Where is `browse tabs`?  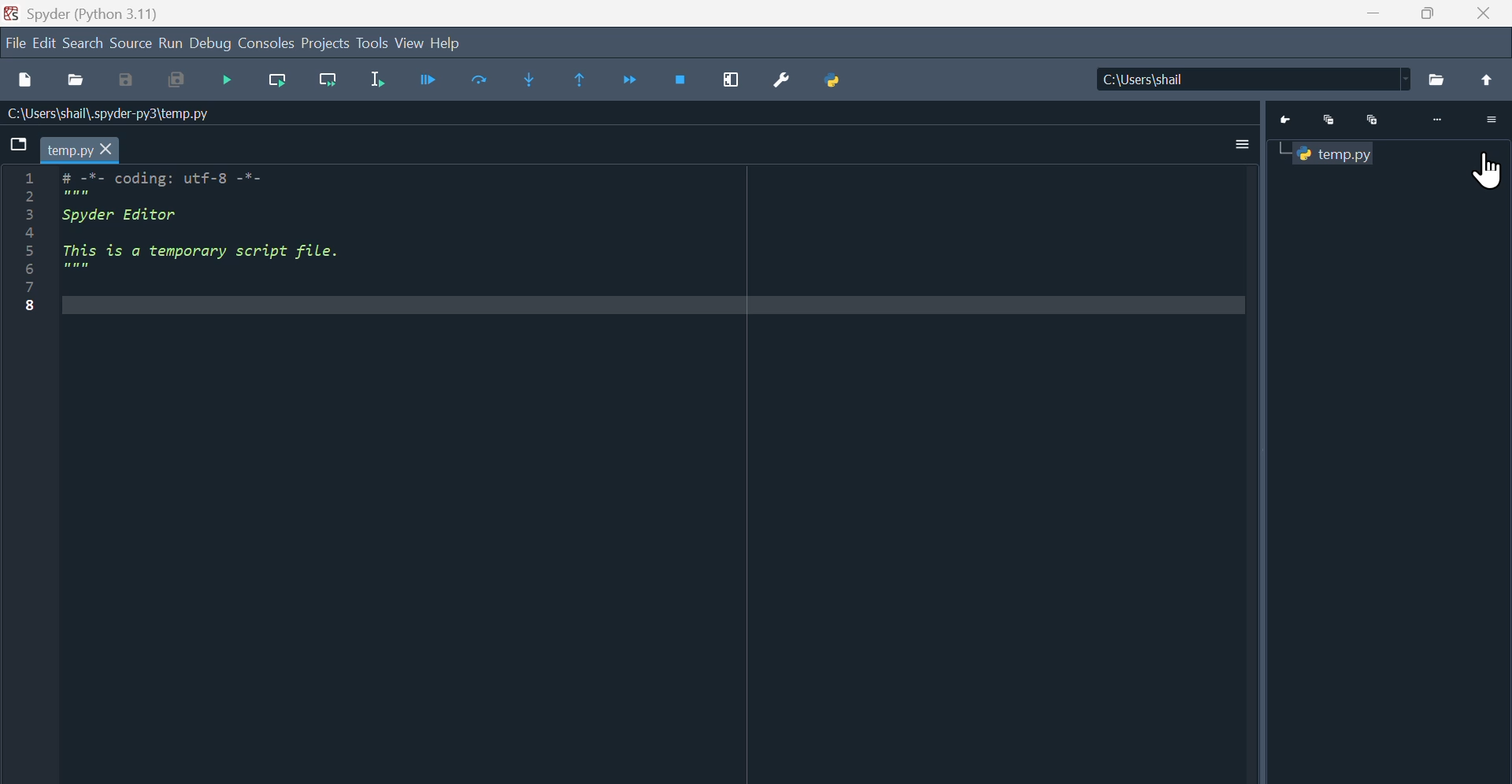
browse tabs is located at coordinates (16, 145).